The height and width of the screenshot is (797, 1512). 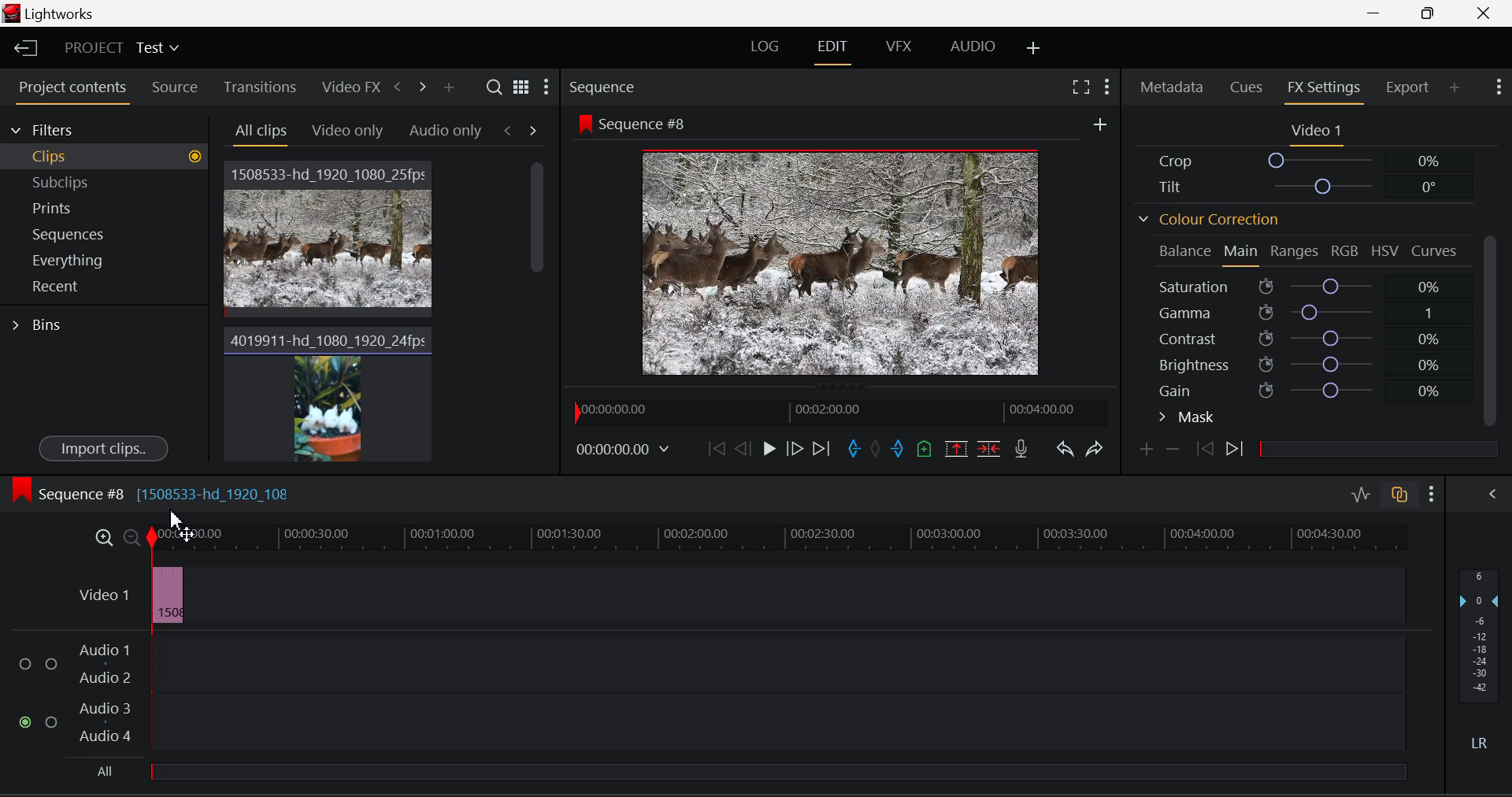 I want to click on Cues, so click(x=1247, y=87).